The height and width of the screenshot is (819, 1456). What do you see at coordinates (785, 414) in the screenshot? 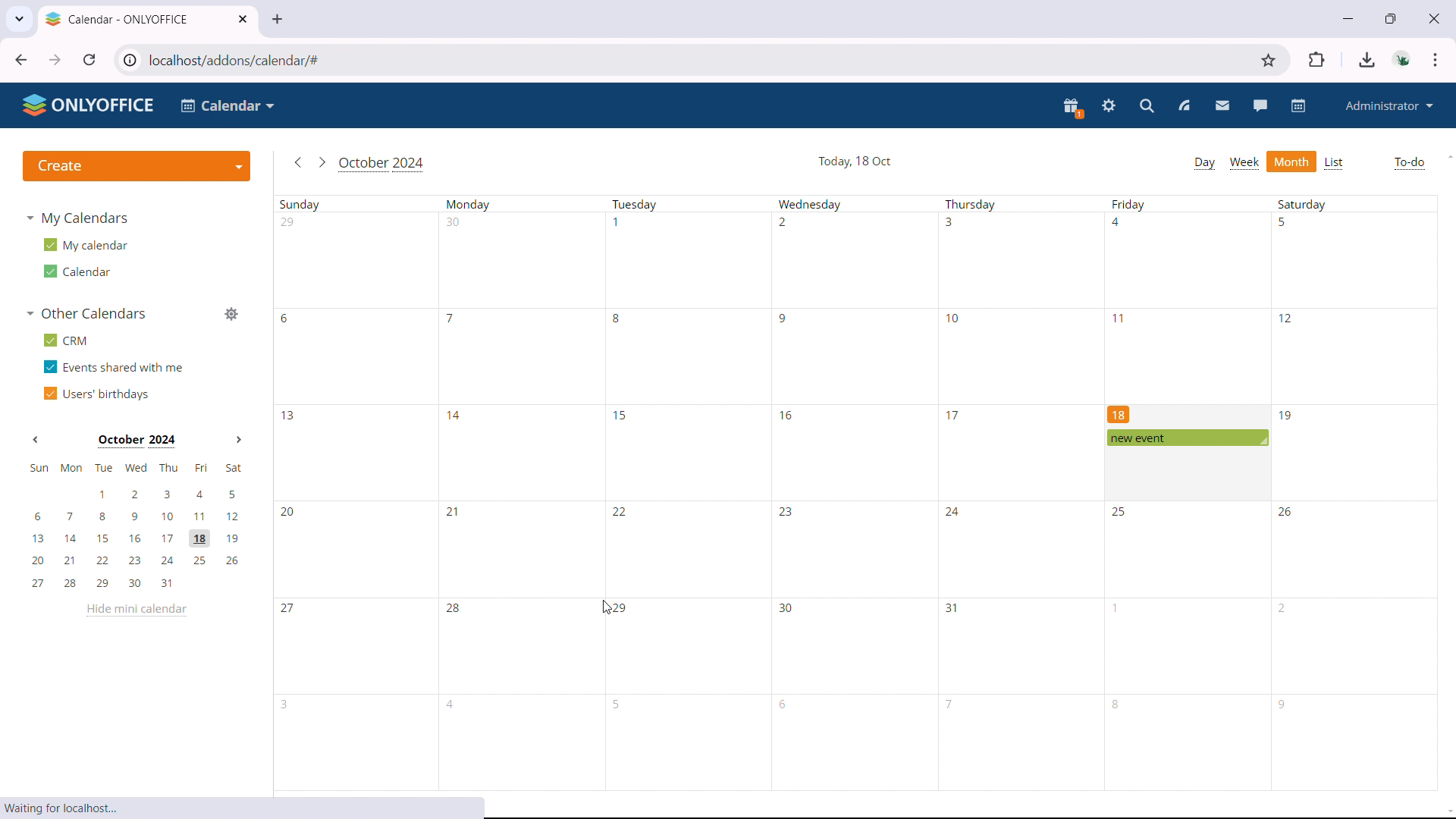
I see `16` at bounding box center [785, 414].